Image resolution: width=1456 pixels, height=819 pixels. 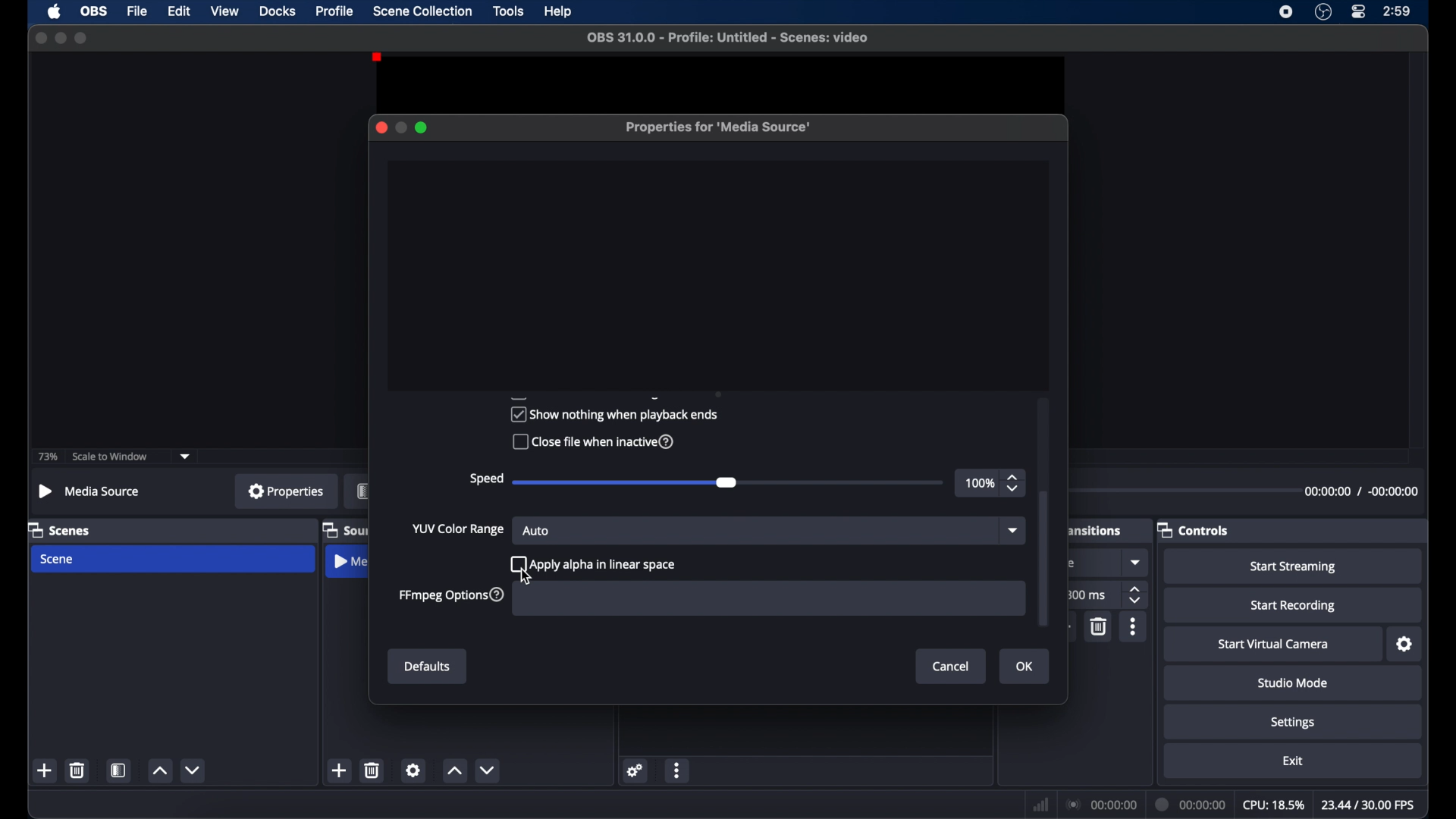 I want to click on obscure label, so click(x=344, y=529).